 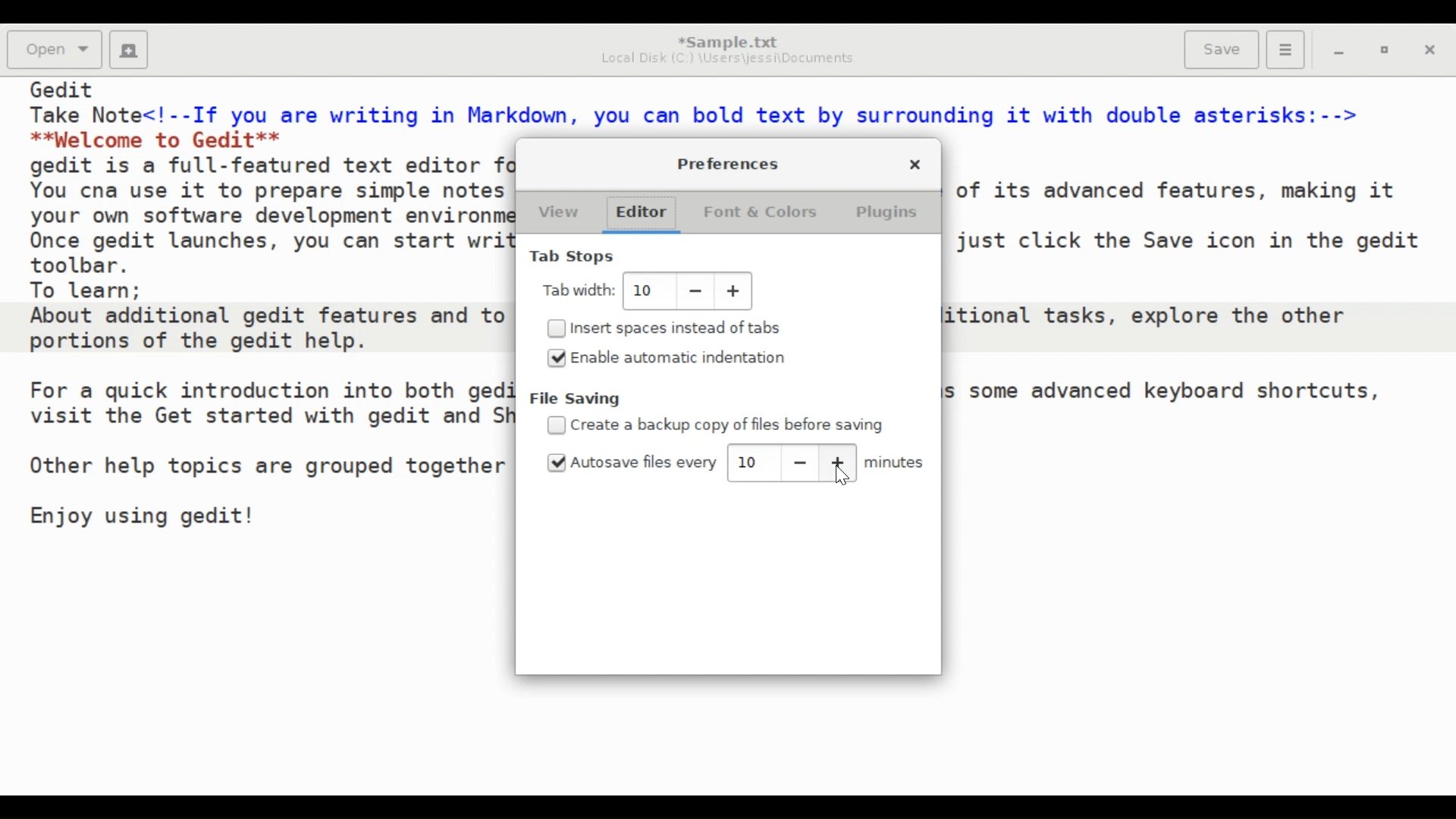 I want to click on File Saving, so click(x=579, y=399).